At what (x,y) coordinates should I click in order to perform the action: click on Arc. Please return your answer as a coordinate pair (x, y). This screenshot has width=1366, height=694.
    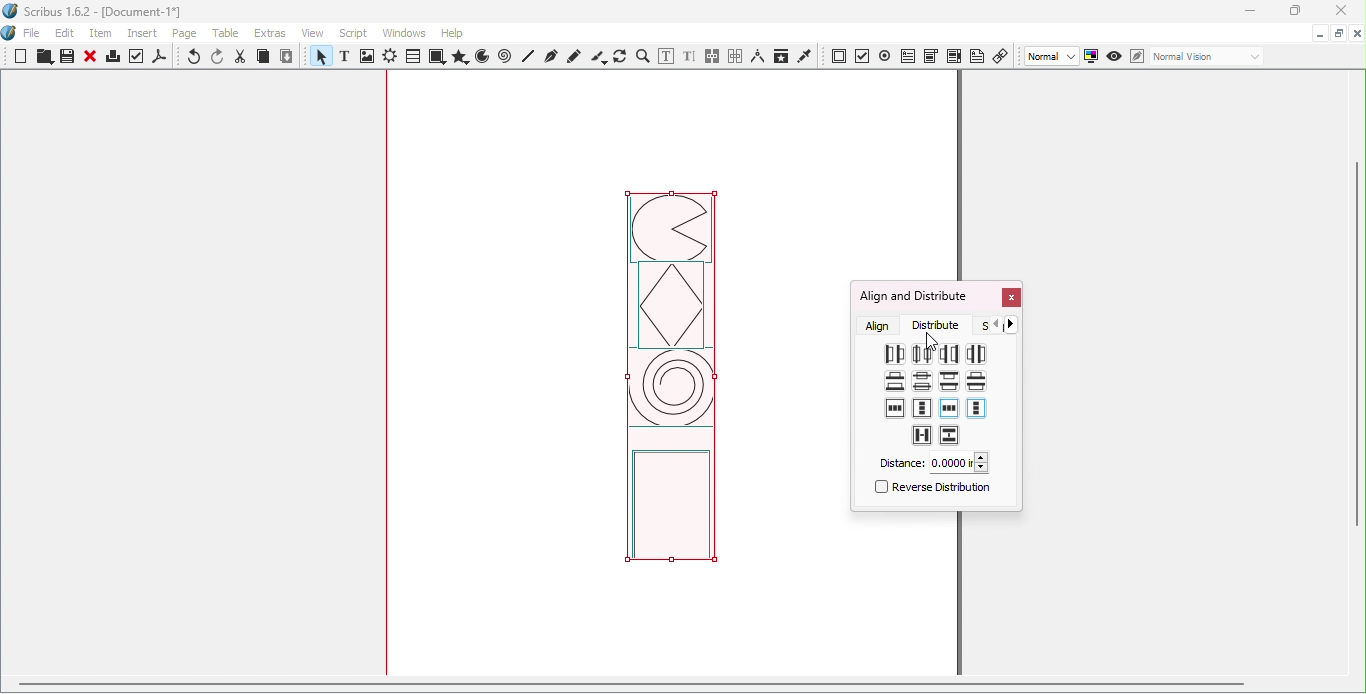
    Looking at the image, I should click on (482, 58).